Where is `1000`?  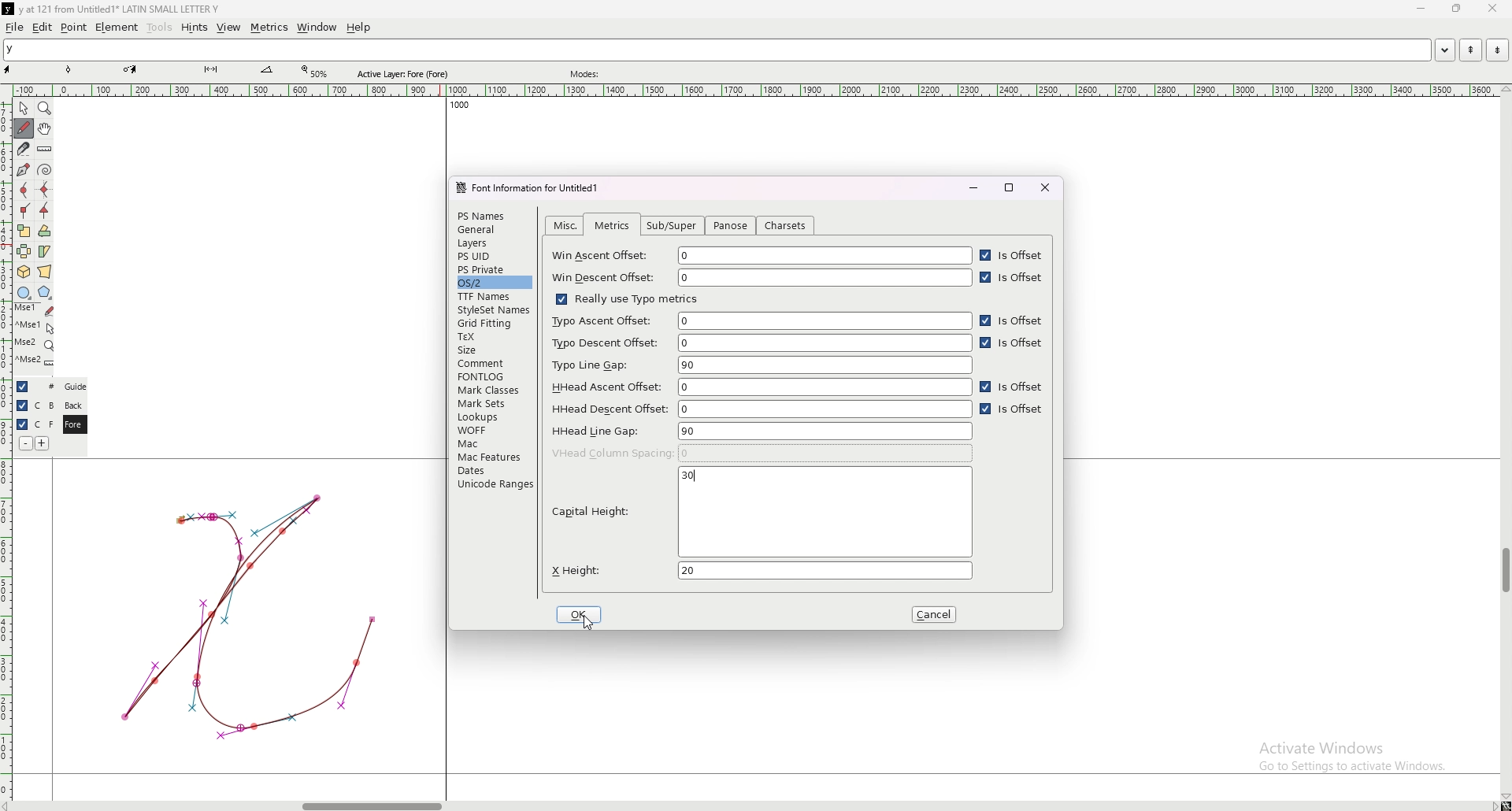
1000 is located at coordinates (456, 107).